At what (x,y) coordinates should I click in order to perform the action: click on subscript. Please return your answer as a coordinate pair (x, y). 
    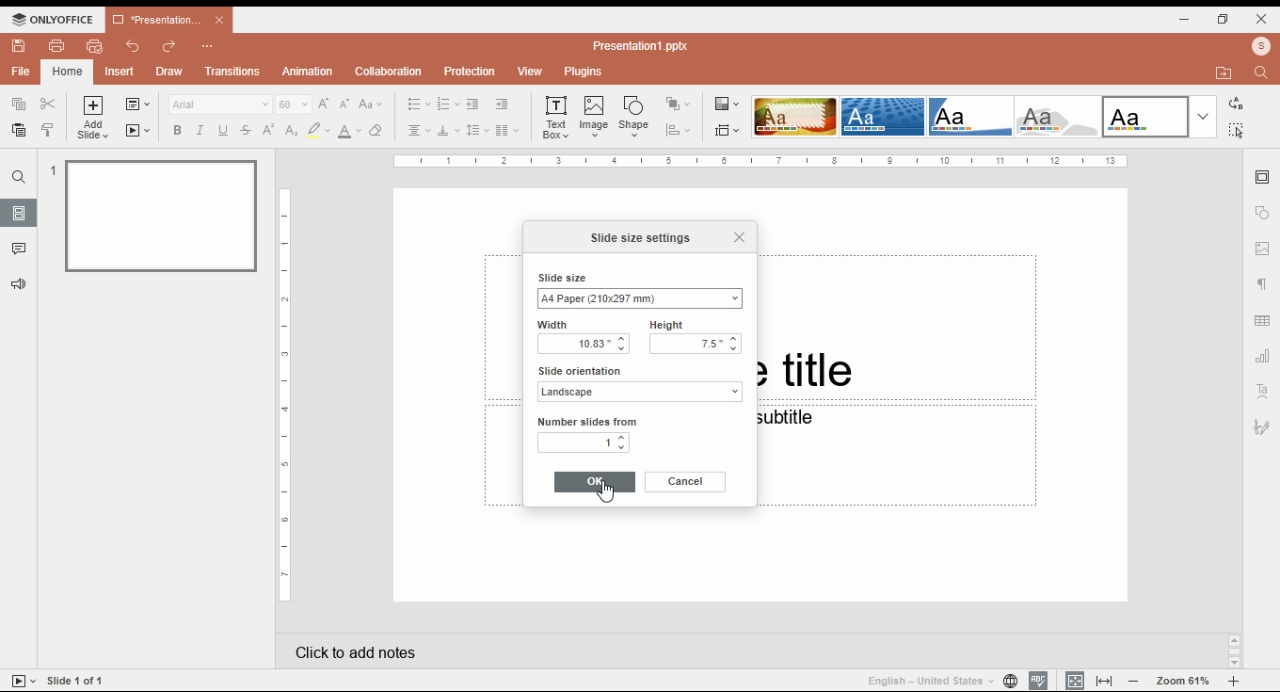
    Looking at the image, I should click on (289, 130).